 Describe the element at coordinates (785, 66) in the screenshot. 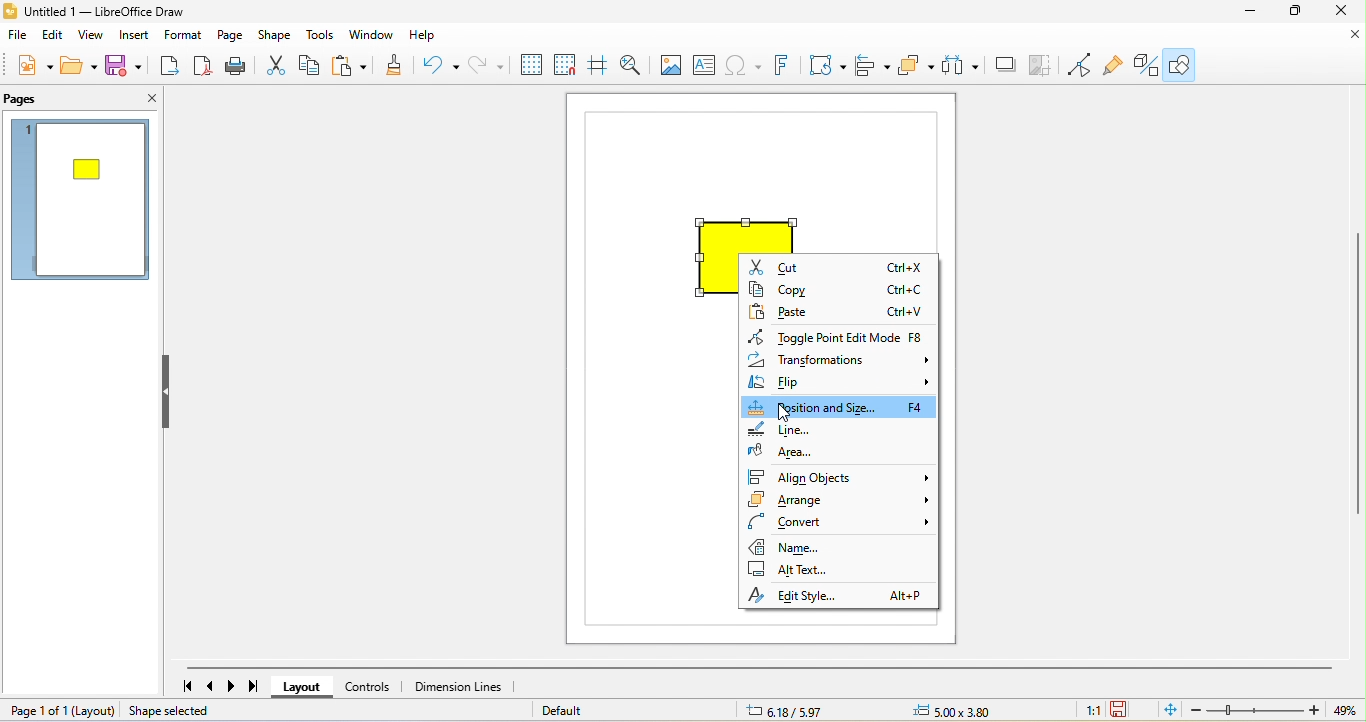

I see `fontwork text` at that location.